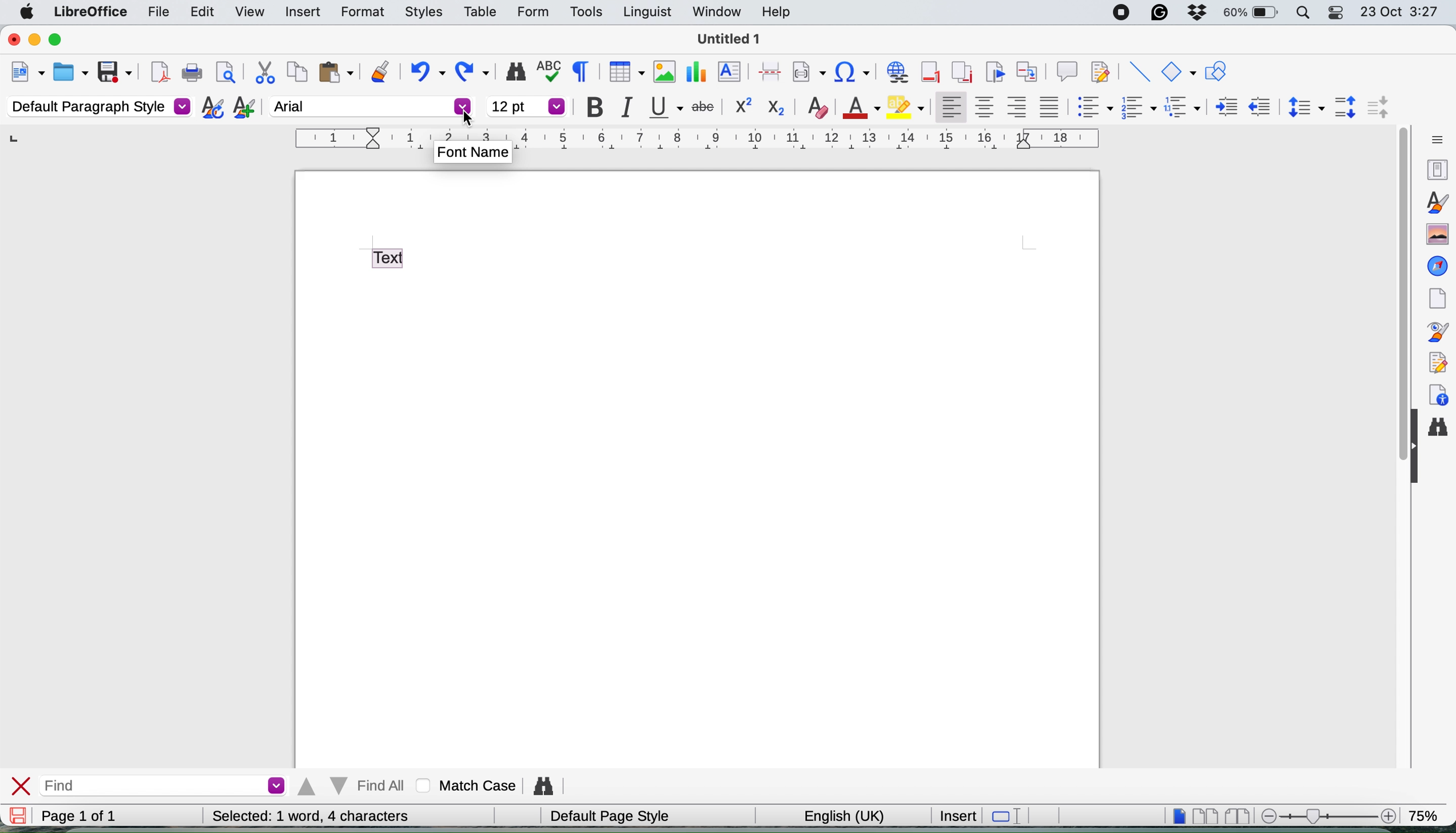  I want to click on increase indent, so click(1220, 107).